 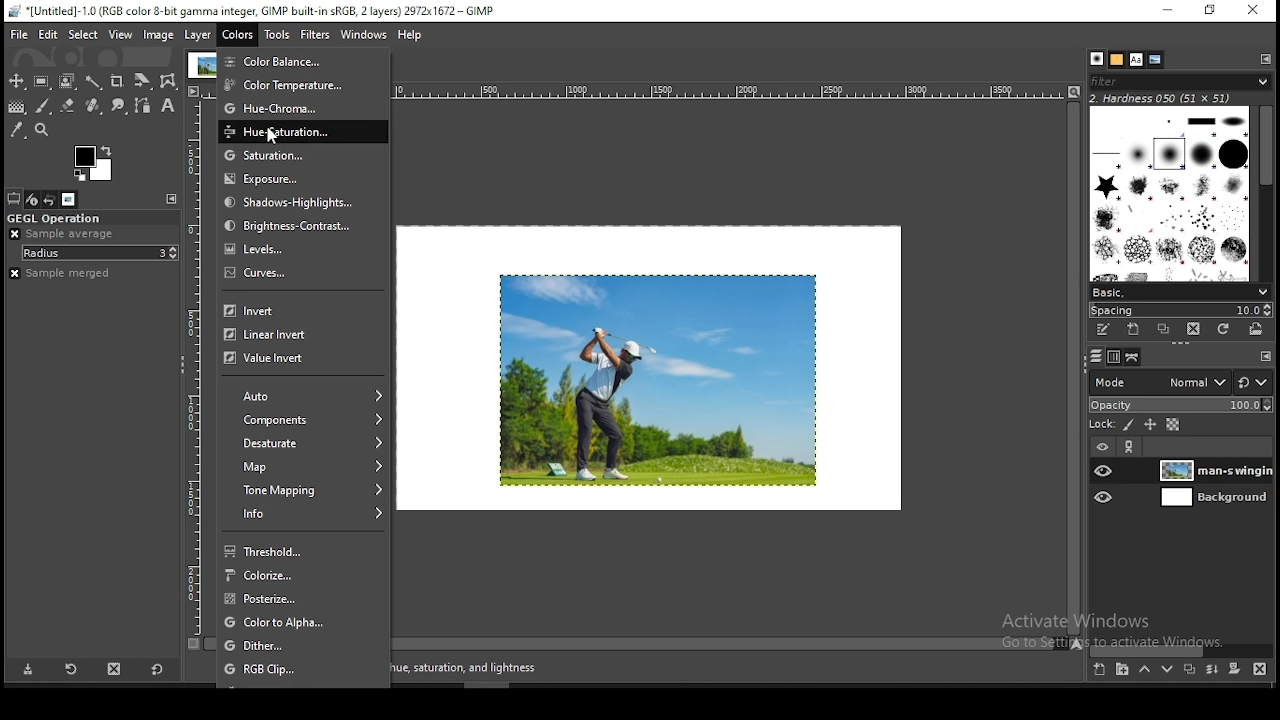 What do you see at coordinates (100, 253) in the screenshot?
I see `radius` at bounding box center [100, 253].